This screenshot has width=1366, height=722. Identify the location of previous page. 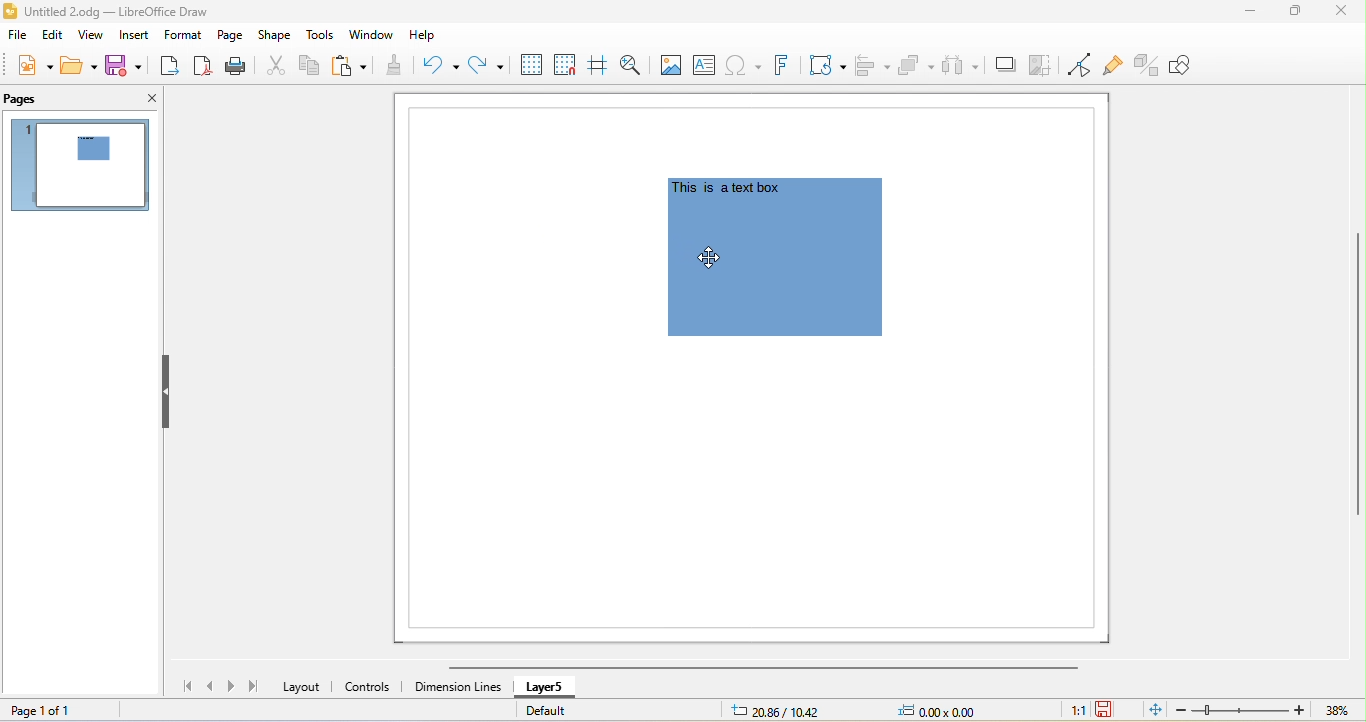
(214, 687).